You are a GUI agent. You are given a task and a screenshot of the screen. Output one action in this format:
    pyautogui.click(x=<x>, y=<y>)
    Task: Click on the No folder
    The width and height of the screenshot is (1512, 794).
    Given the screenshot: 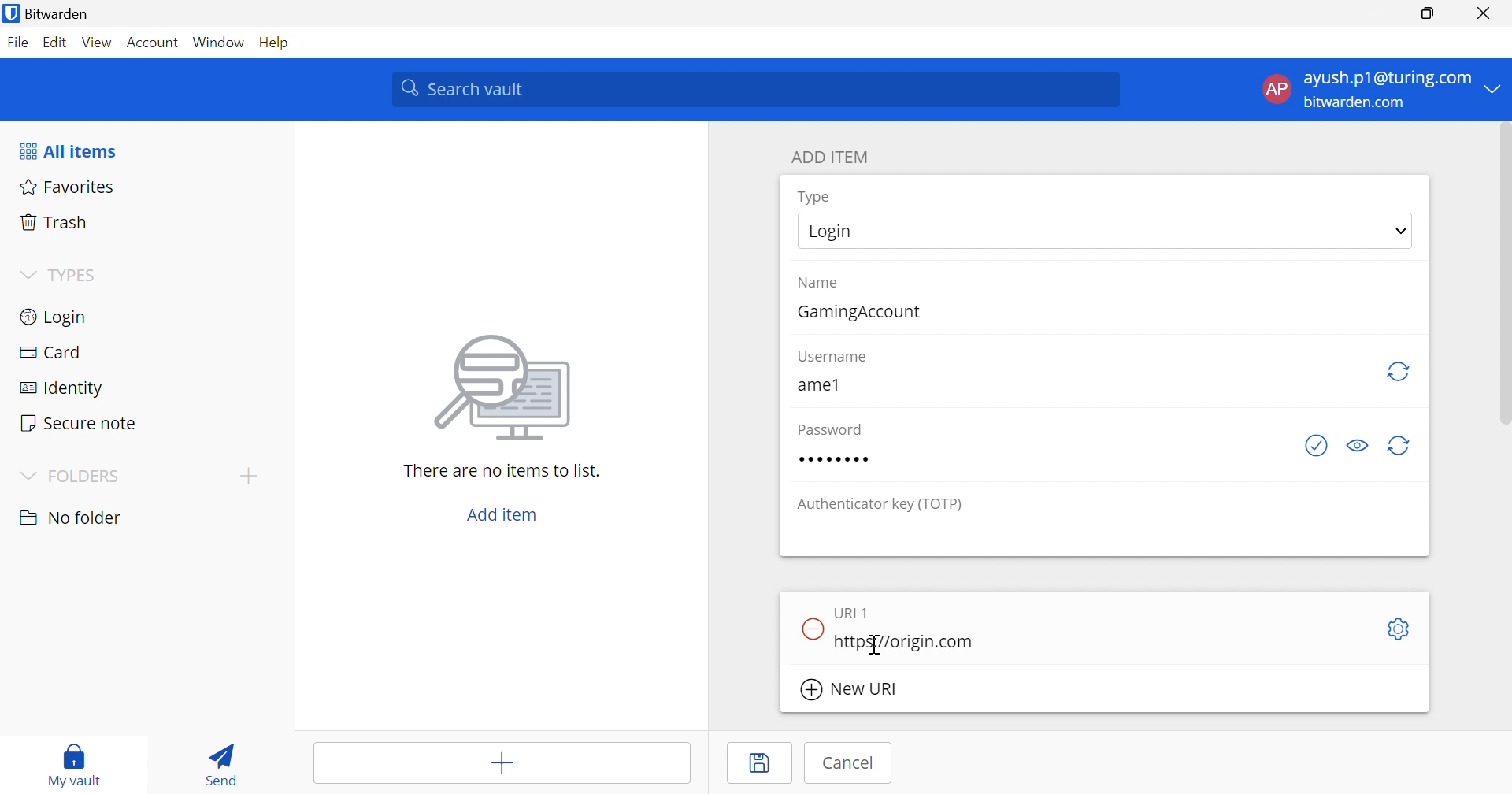 What is the action you would take?
    pyautogui.click(x=73, y=518)
    